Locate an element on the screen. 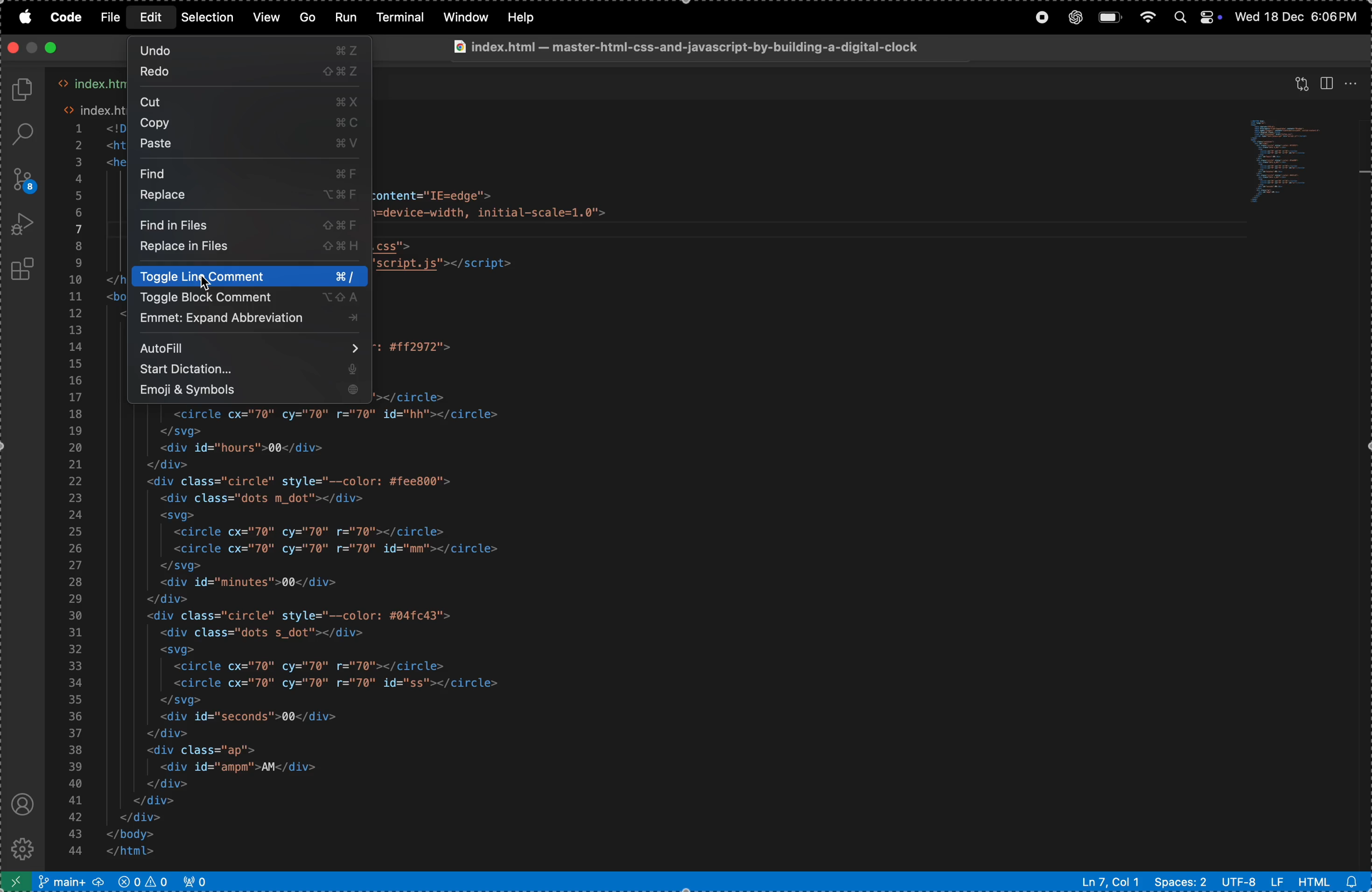 Image resolution: width=1372 pixels, height=892 pixels. search is located at coordinates (26, 134).